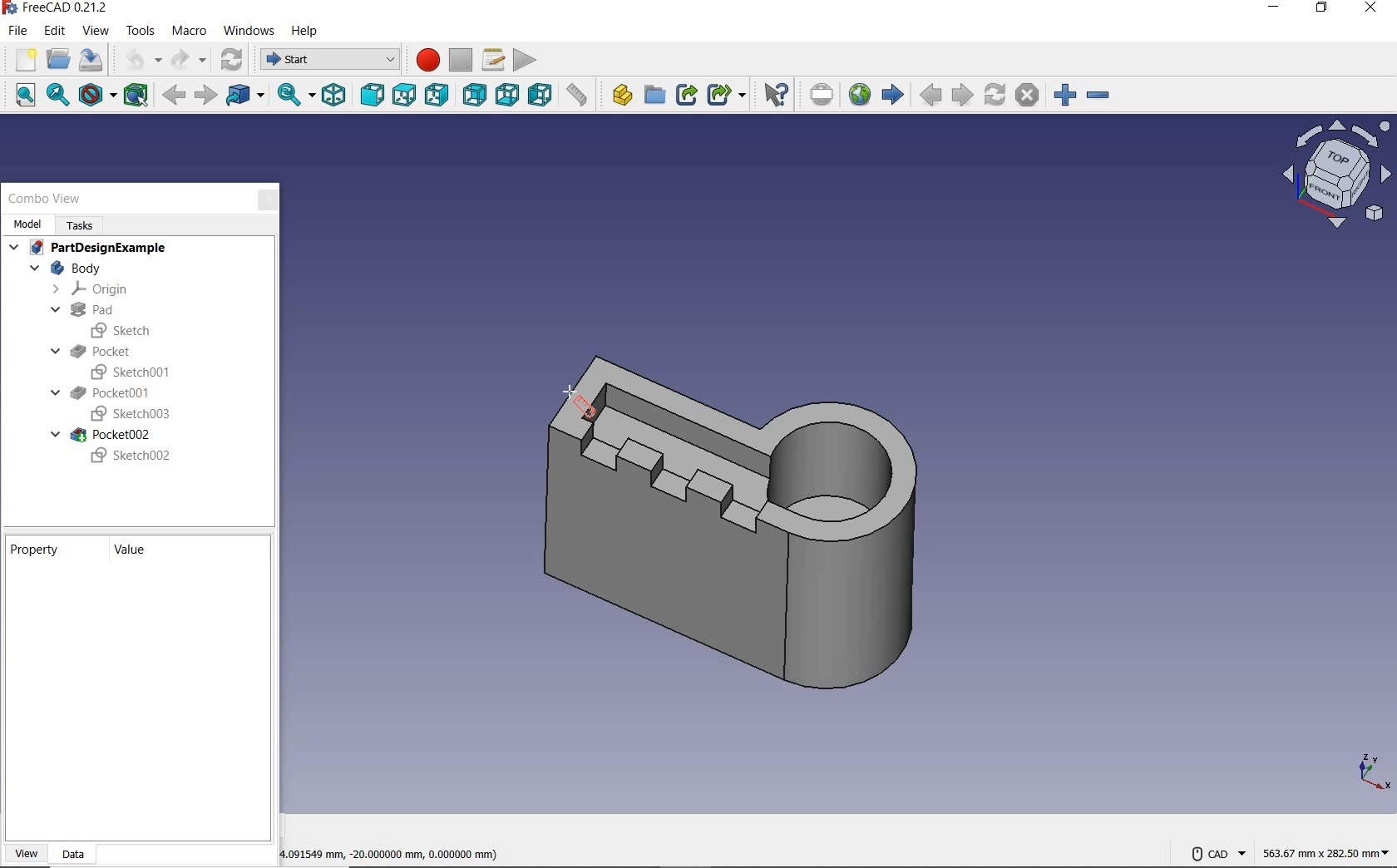 This screenshot has height=868, width=1397. I want to click on macro recording, so click(423, 60).